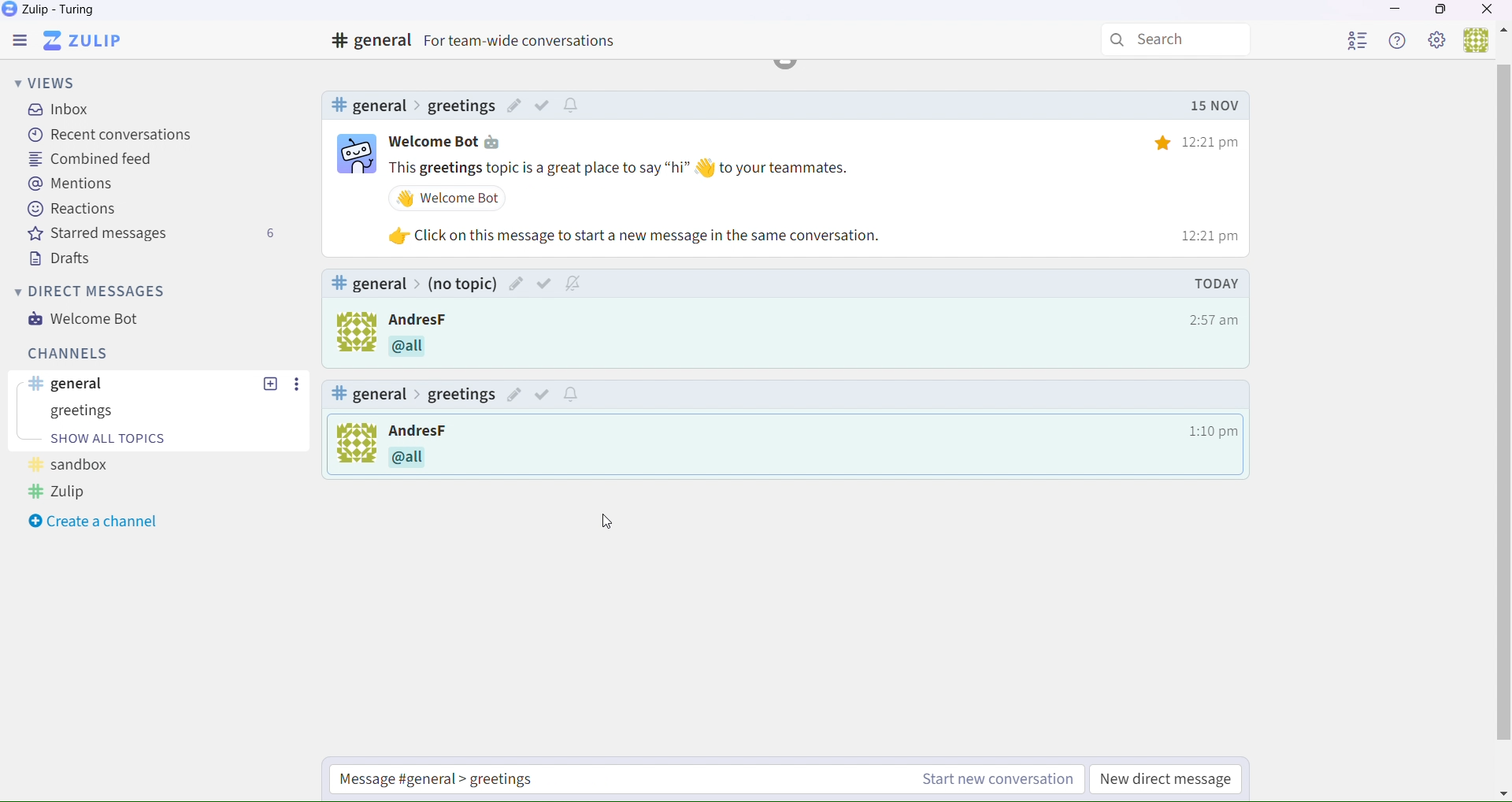 The height and width of the screenshot is (802, 1512). Describe the element at coordinates (1399, 42) in the screenshot. I see `Help` at that location.